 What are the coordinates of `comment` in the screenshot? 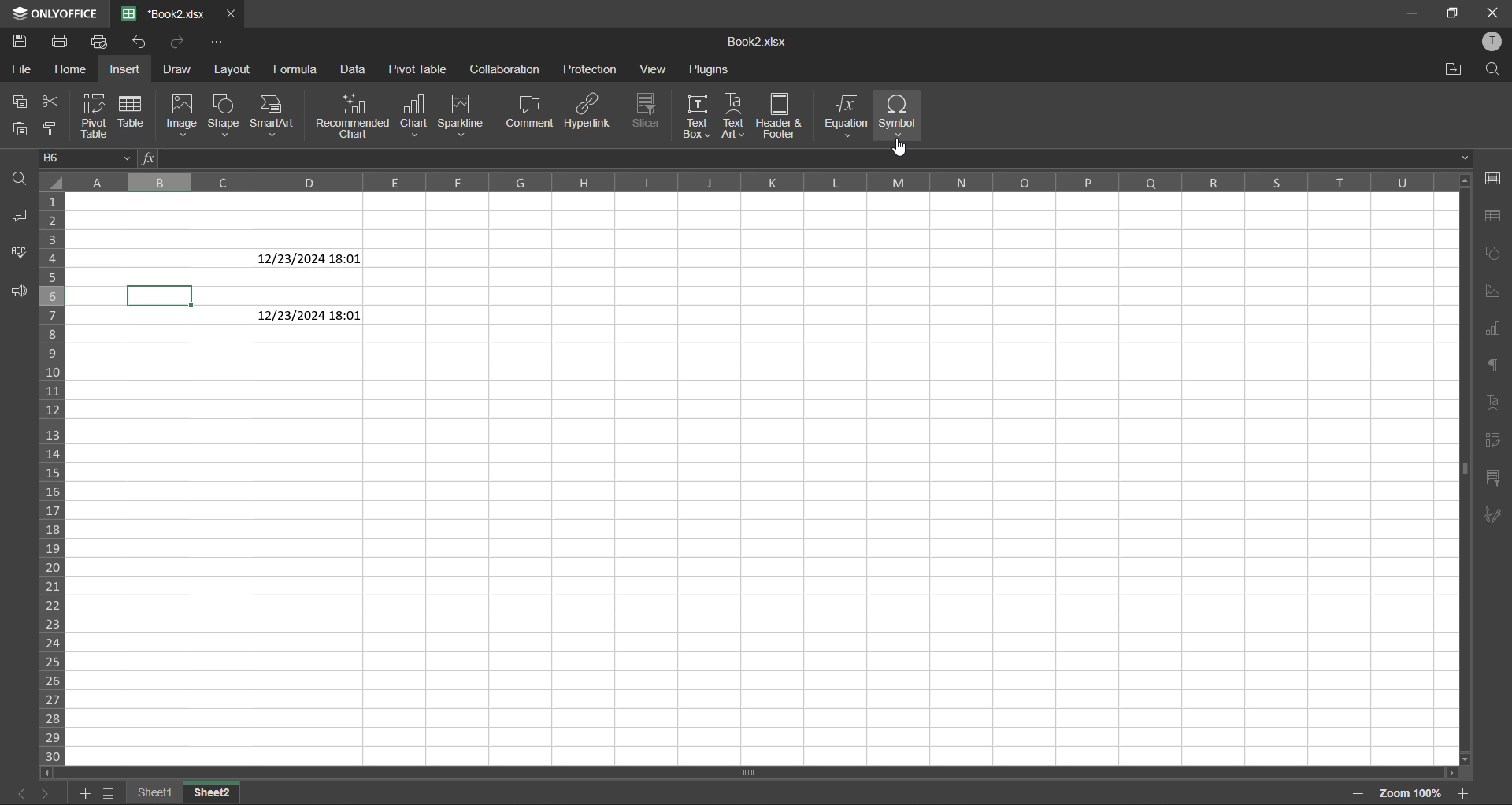 It's located at (533, 110).